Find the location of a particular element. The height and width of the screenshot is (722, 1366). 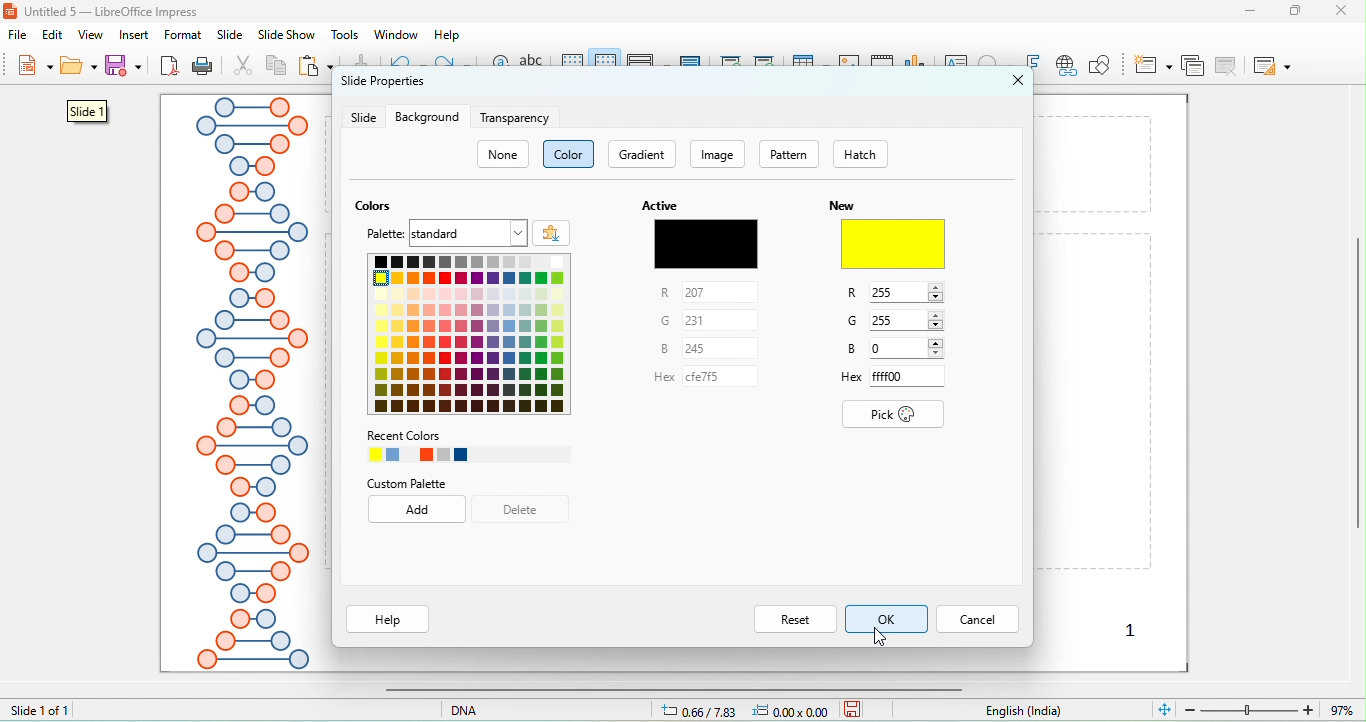

fit to current window is located at coordinates (1163, 708).